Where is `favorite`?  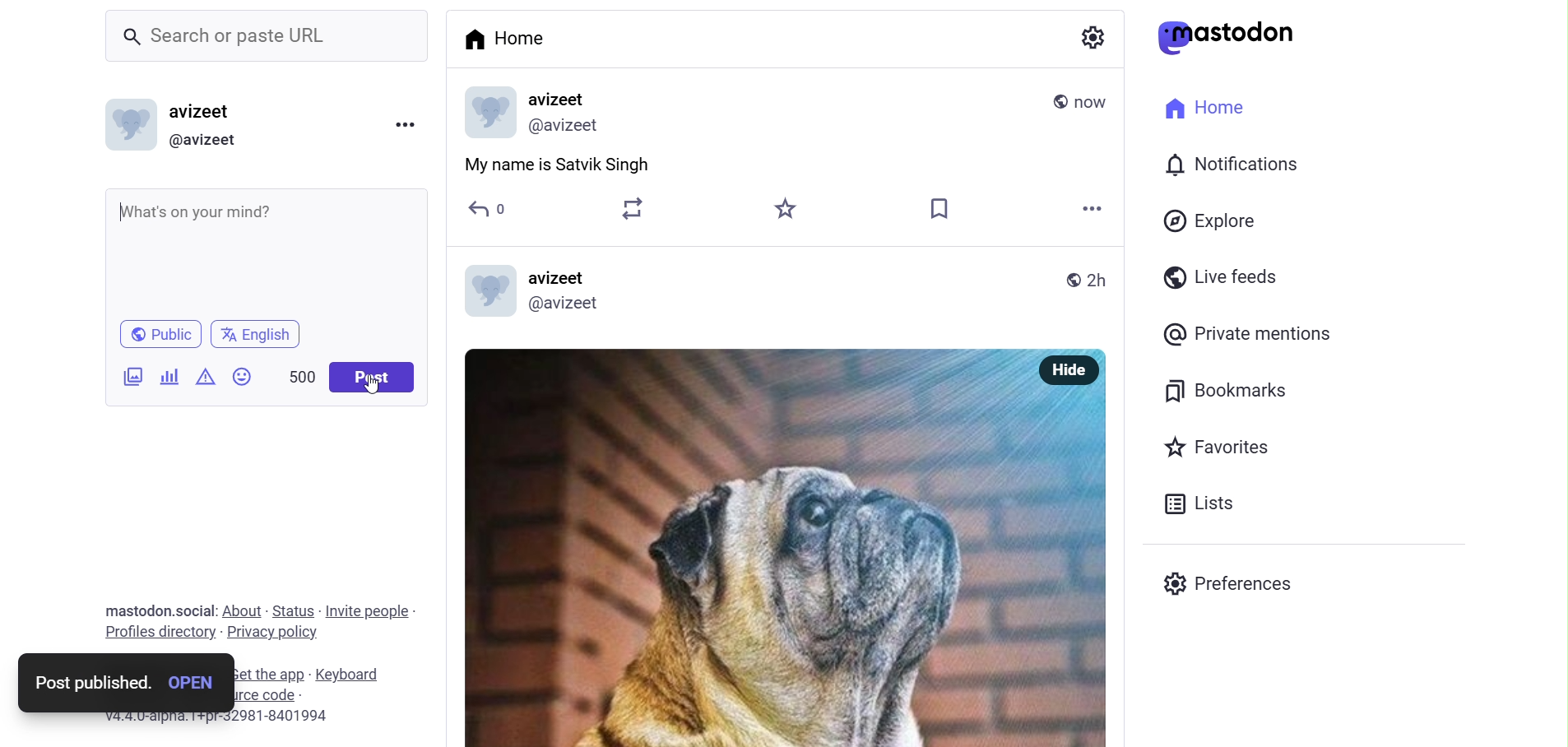
favorite is located at coordinates (783, 209).